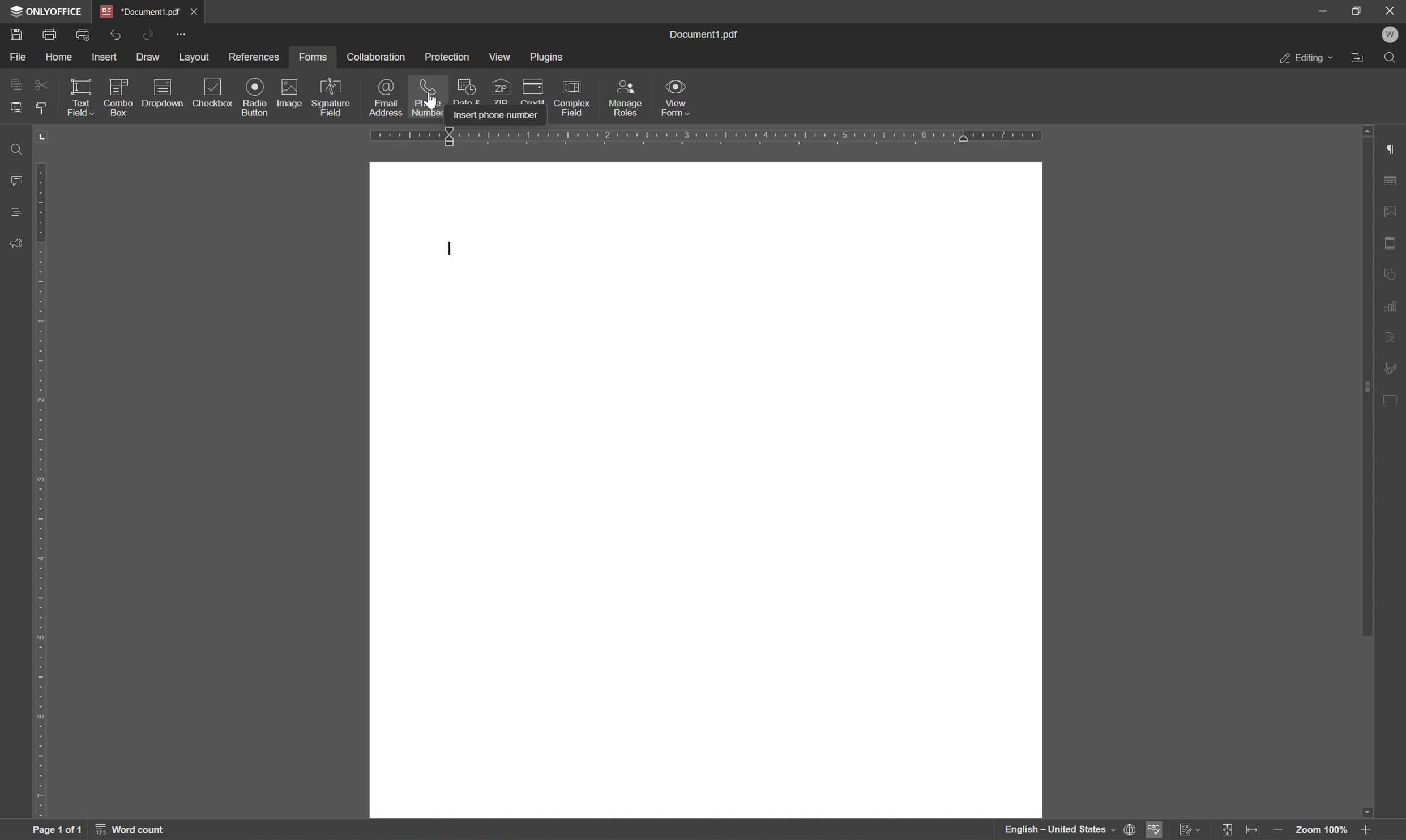  Describe the element at coordinates (704, 136) in the screenshot. I see `ruler` at that location.